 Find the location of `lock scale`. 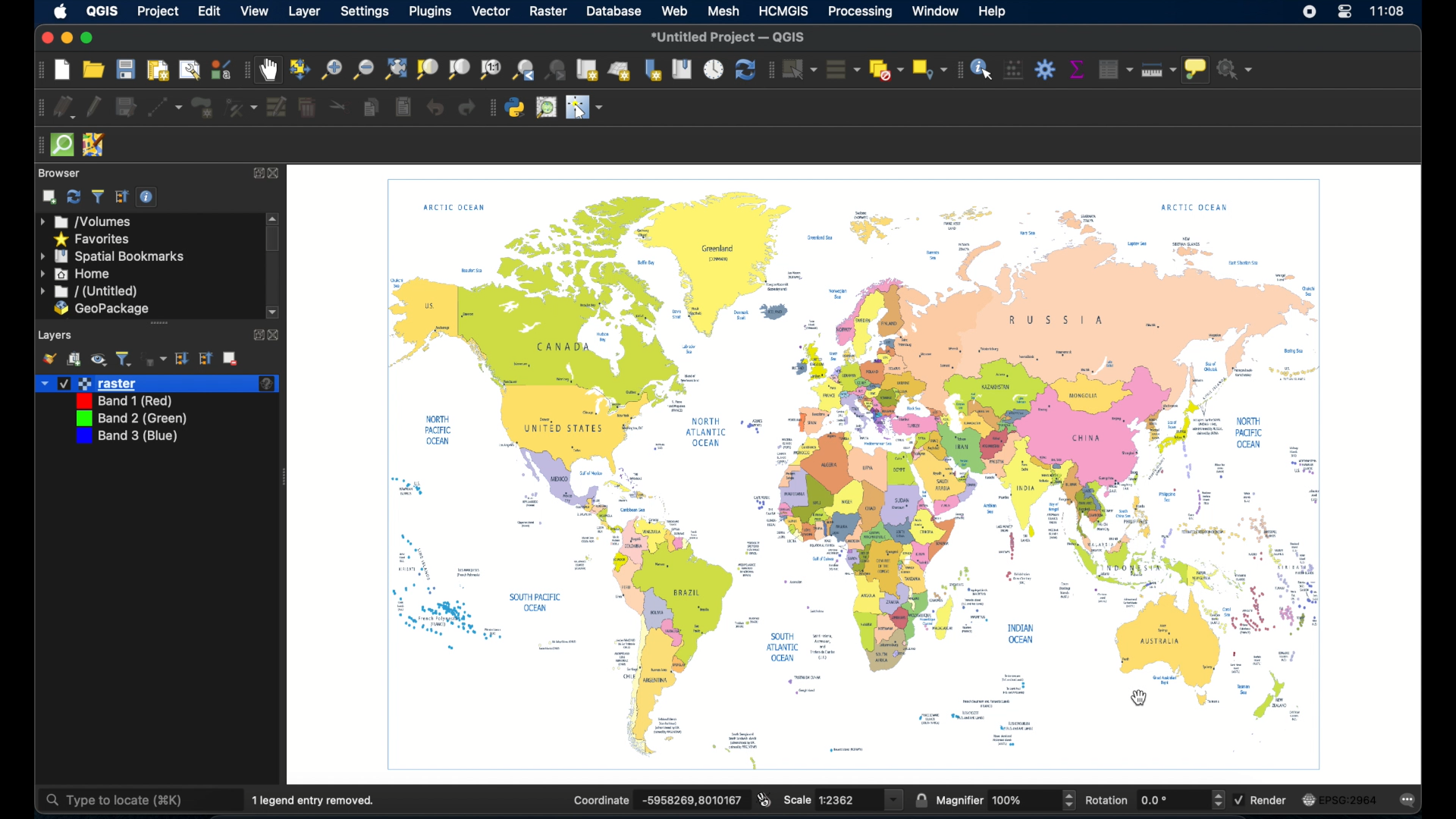

lock scale is located at coordinates (921, 799).